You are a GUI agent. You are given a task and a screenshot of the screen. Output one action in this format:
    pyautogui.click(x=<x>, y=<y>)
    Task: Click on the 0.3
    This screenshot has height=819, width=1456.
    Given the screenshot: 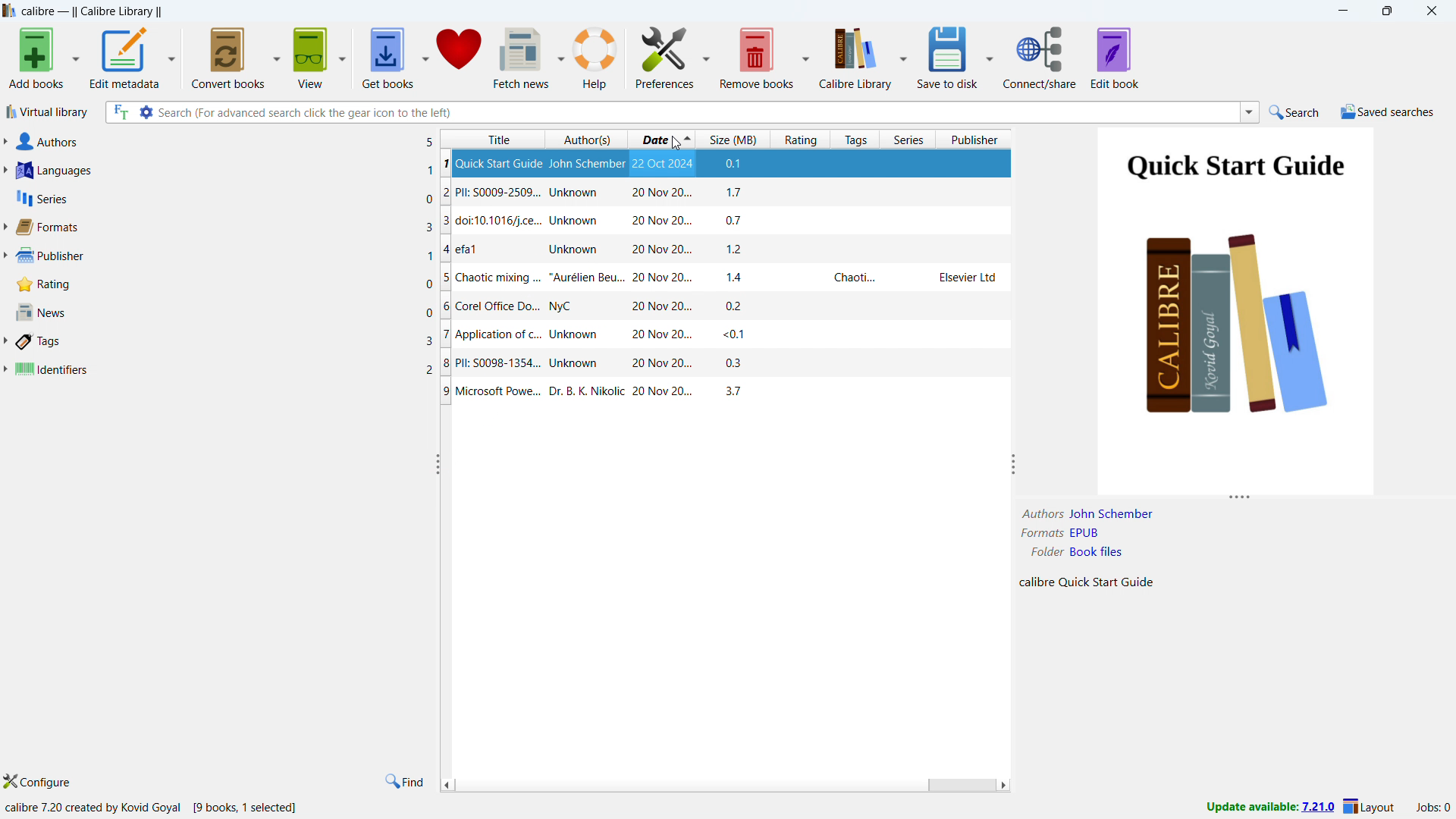 What is the action you would take?
    pyautogui.click(x=738, y=278)
    